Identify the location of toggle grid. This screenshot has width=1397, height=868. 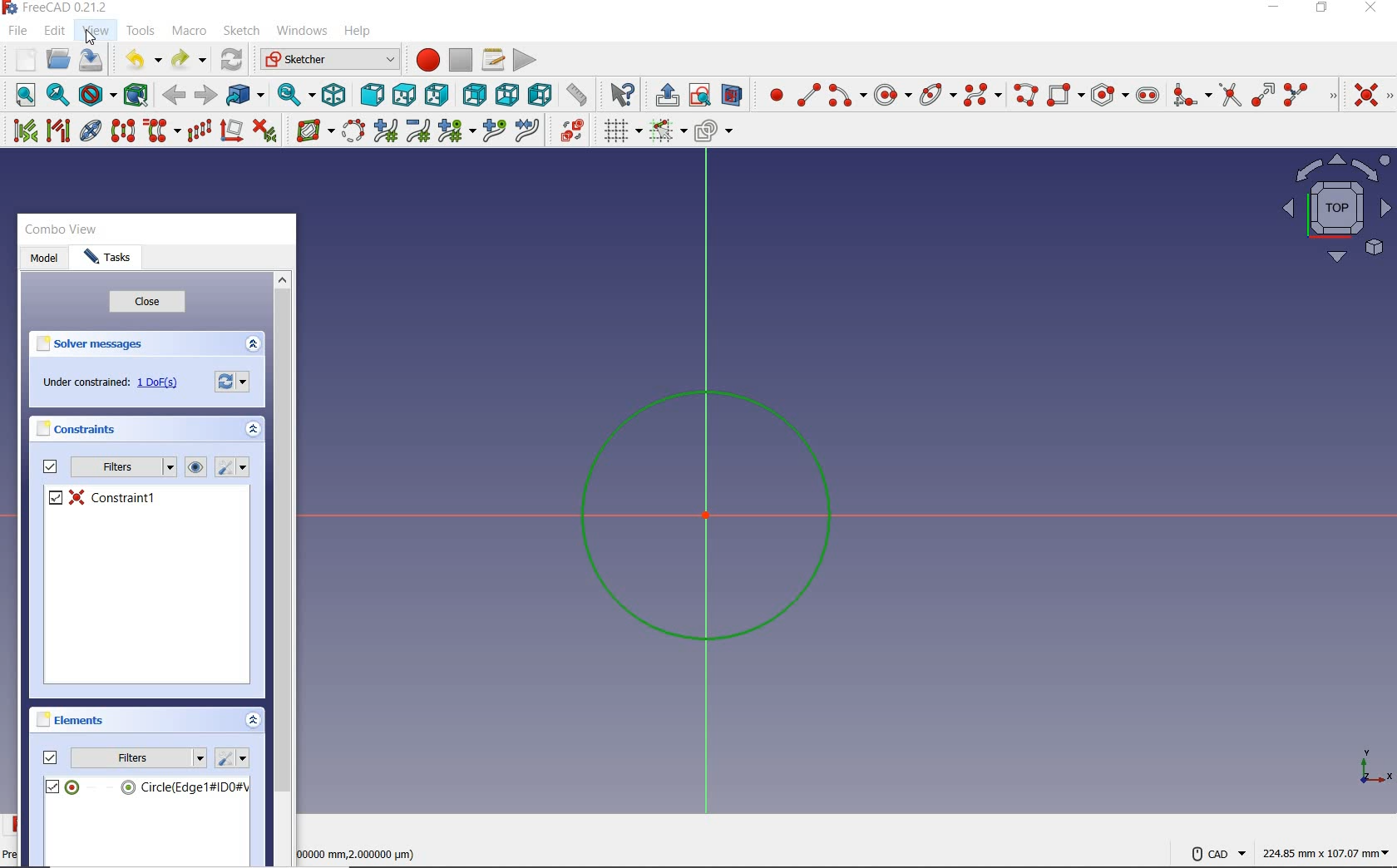
(618, 131).